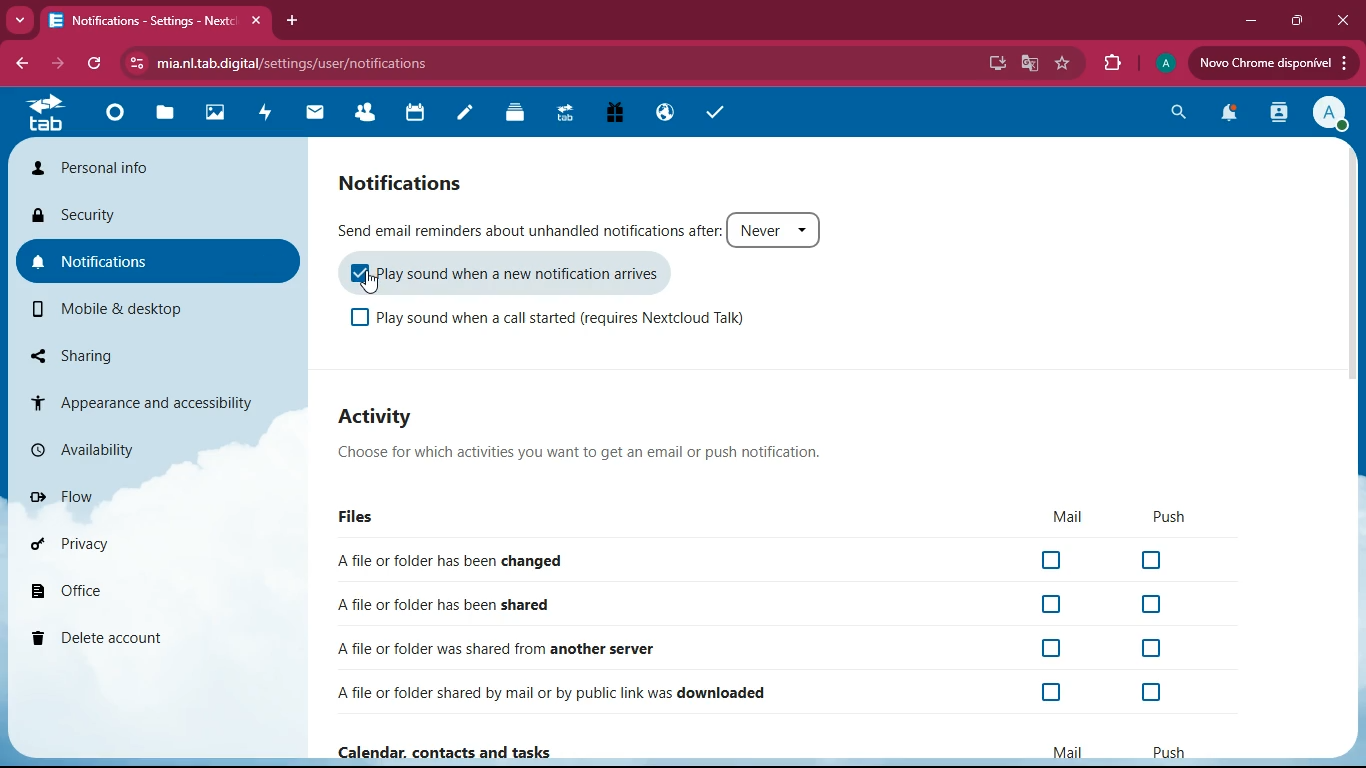 The height and width of the screenshot is (768, 1366). What do you see at coordinates (608, 113) in the screenshot?
I see `gift` at bounding box center [608, 113].